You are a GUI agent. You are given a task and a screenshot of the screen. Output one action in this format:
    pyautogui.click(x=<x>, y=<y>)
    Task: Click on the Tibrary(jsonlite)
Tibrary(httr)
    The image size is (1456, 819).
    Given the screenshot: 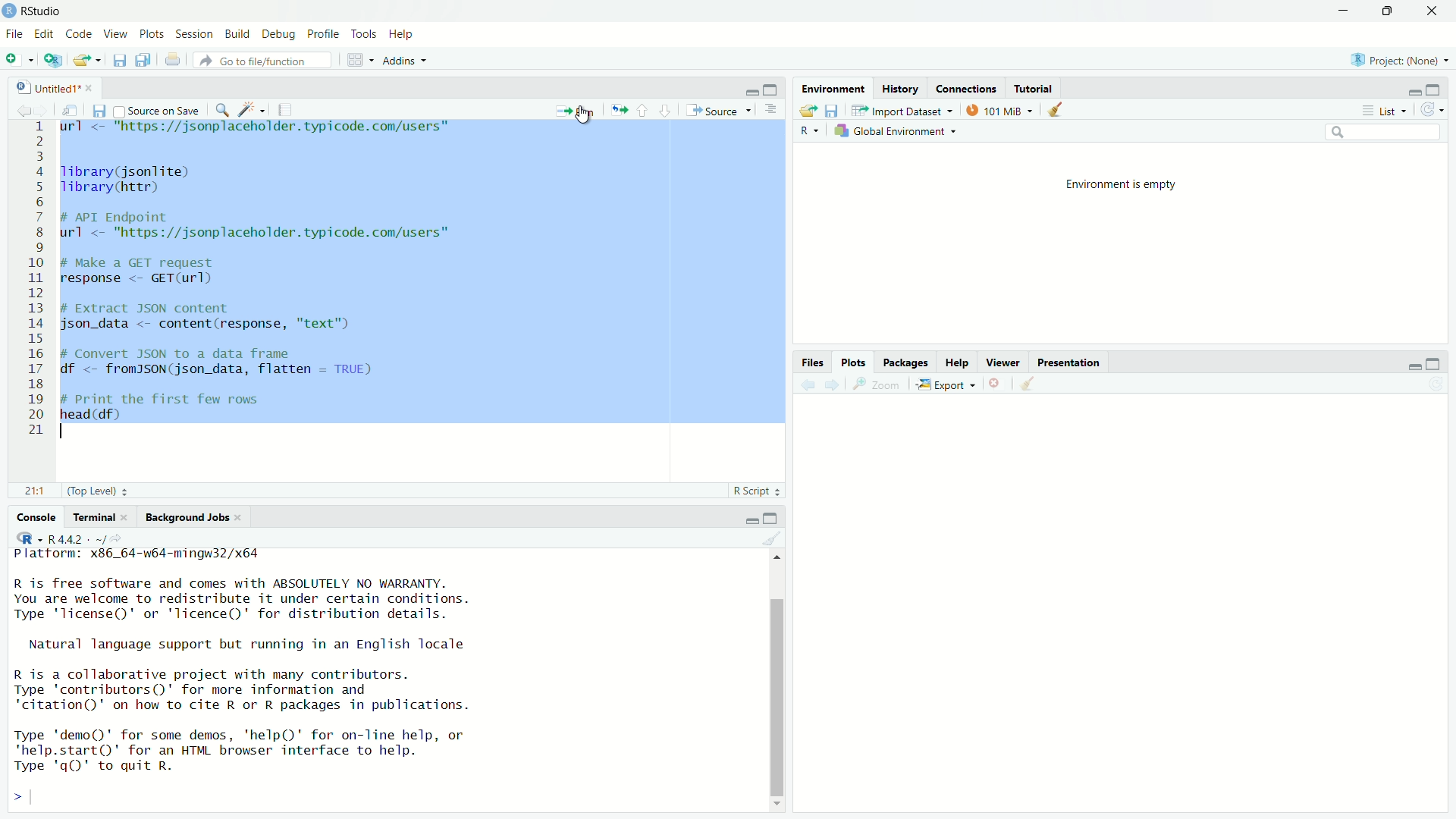 What is the action you would take?
    pyautogui.click(x=129, y=180)
    